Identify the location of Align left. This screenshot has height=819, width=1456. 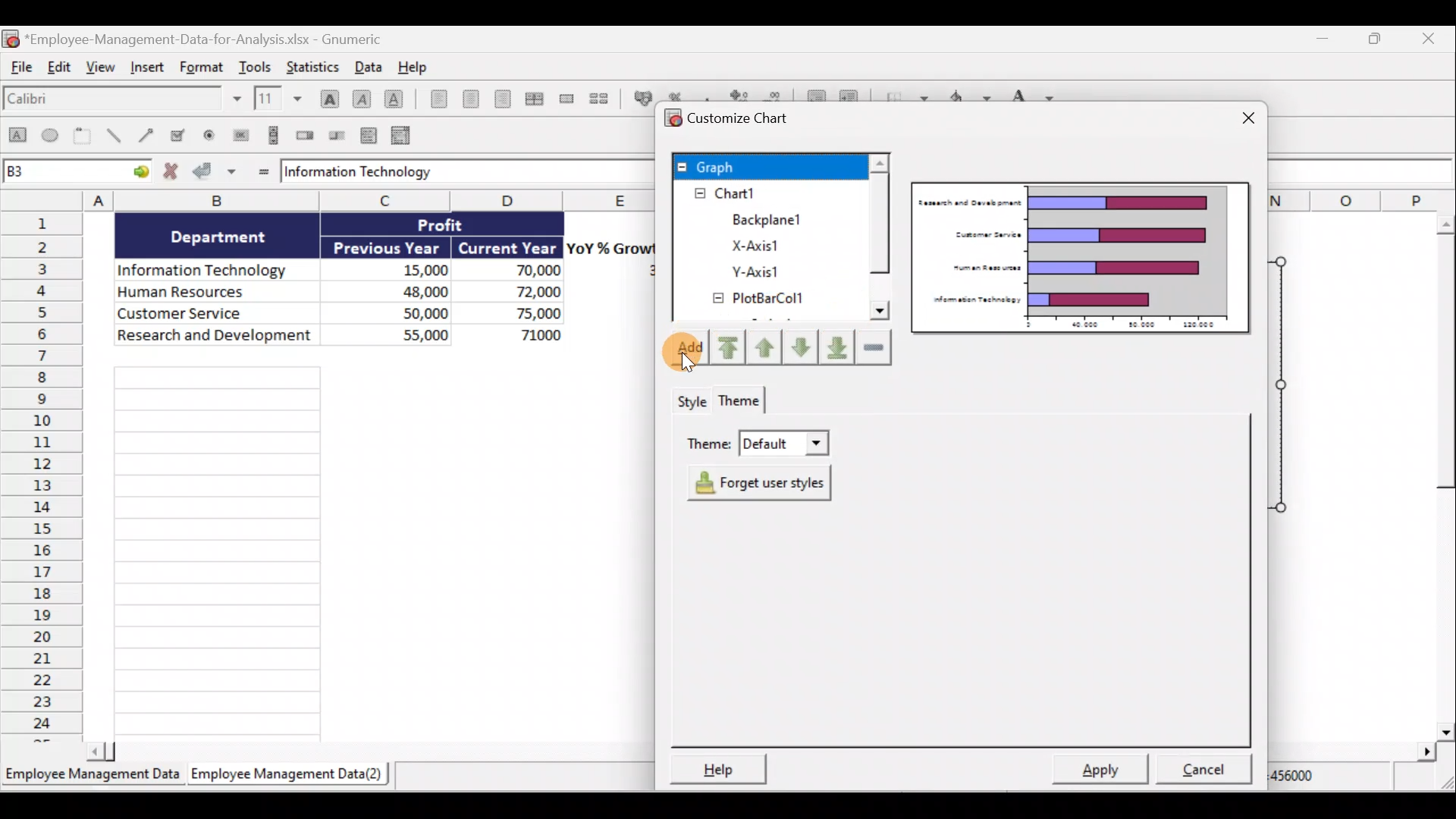
(436, 99).